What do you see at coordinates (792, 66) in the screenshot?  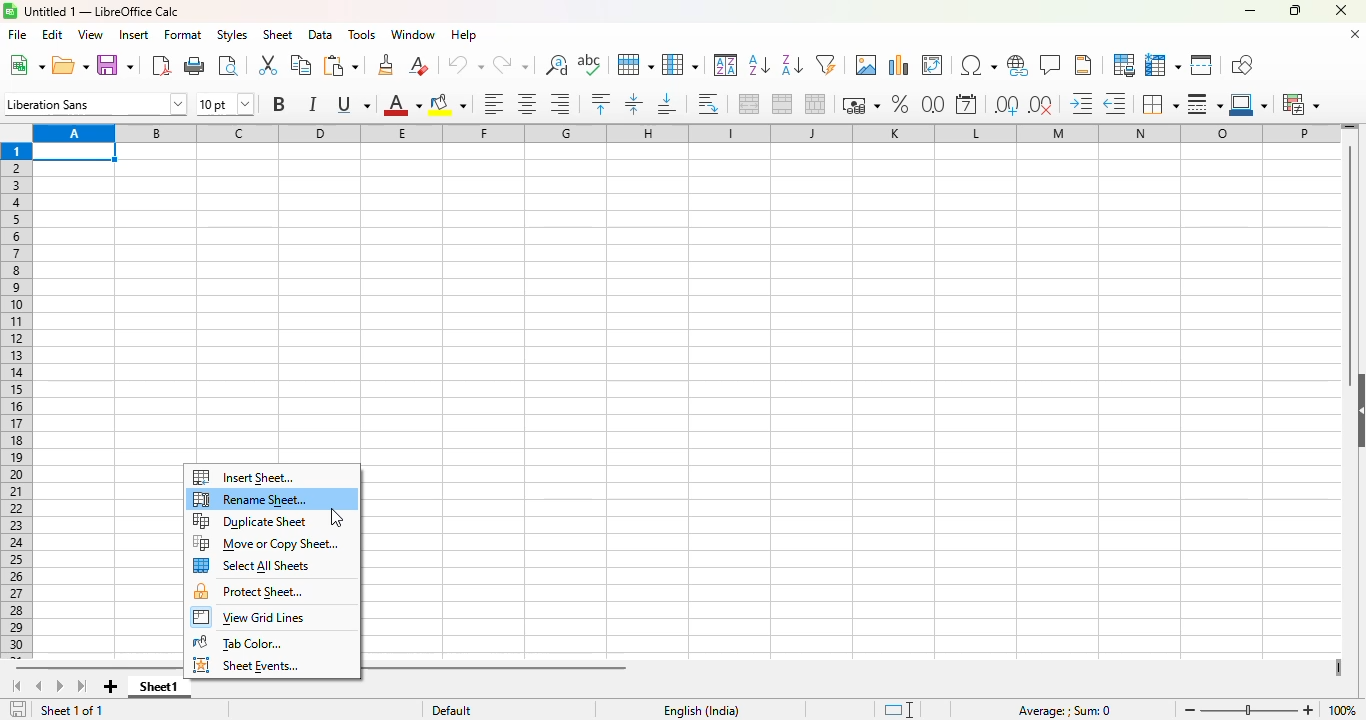 I see `sort descending` at bounding box center [792, 66].